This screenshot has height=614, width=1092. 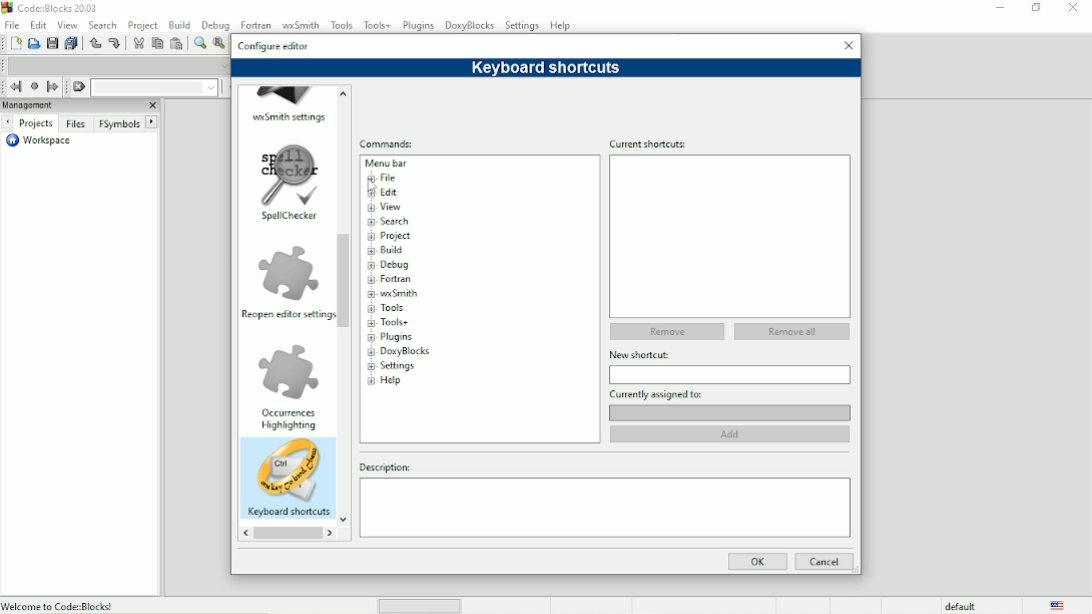 I want to click on Project, so click(x=398, y=236).